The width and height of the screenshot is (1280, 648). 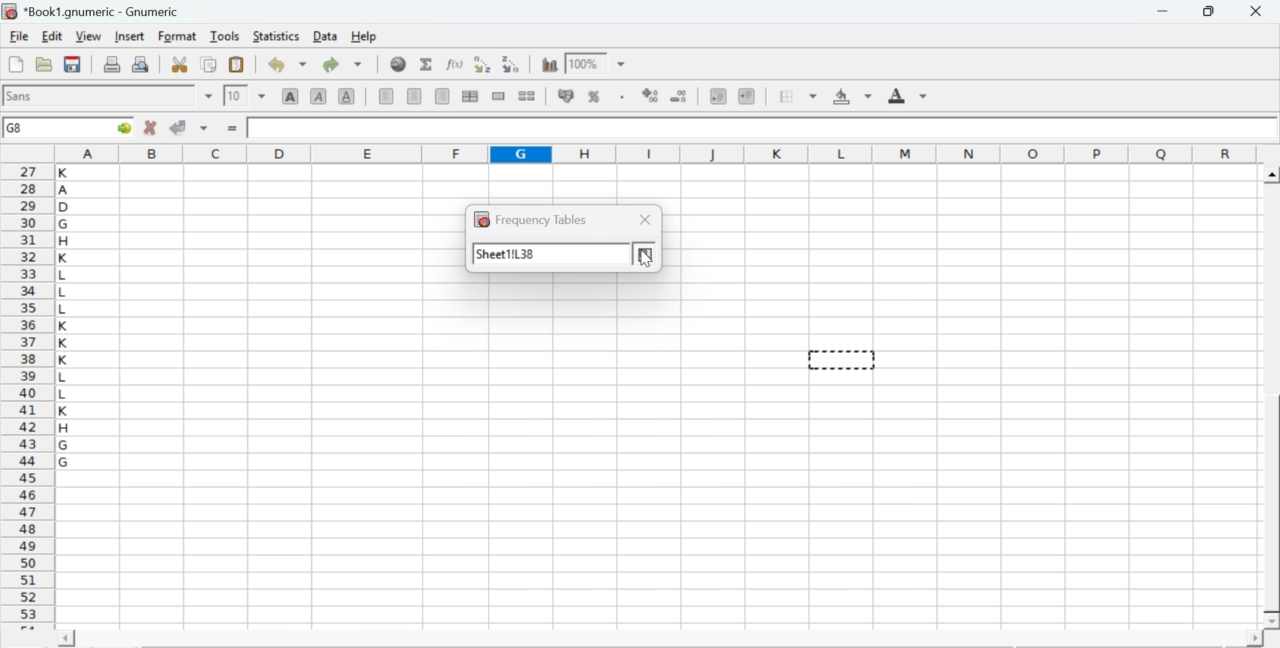 I want to click on column names, so click(x=653, y=153).